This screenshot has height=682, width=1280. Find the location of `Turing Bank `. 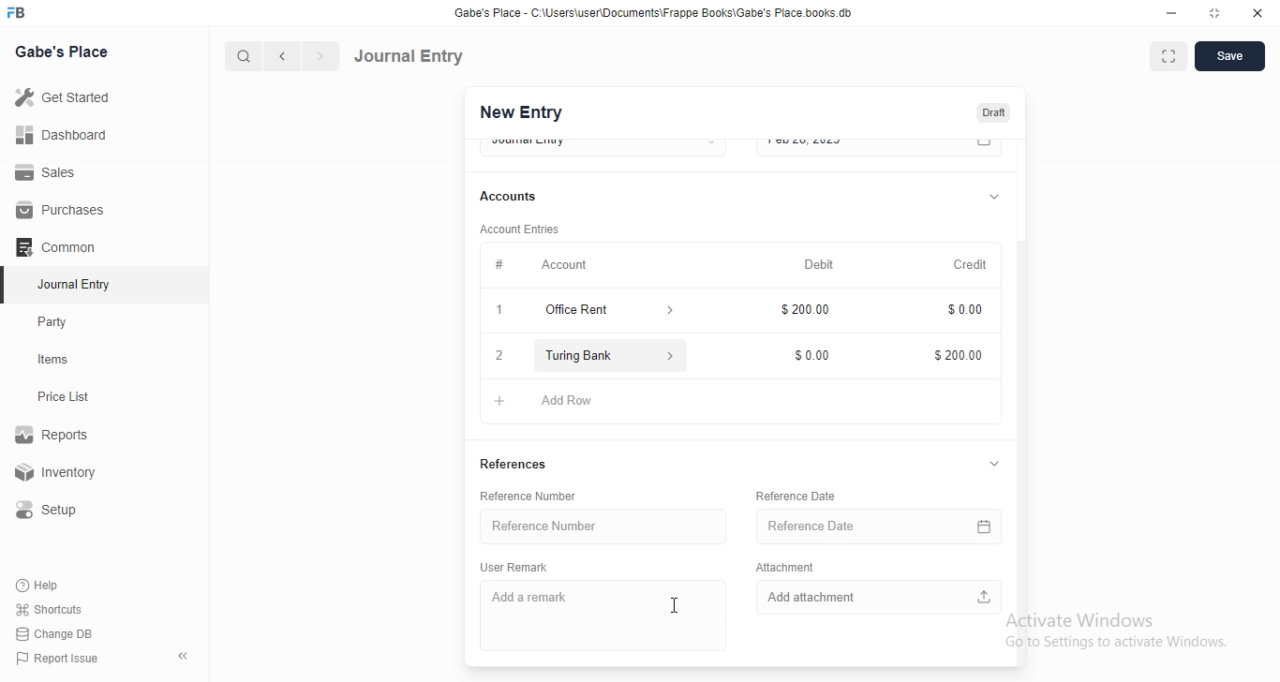

Turing Bank  is located at coordinates (608, 355).